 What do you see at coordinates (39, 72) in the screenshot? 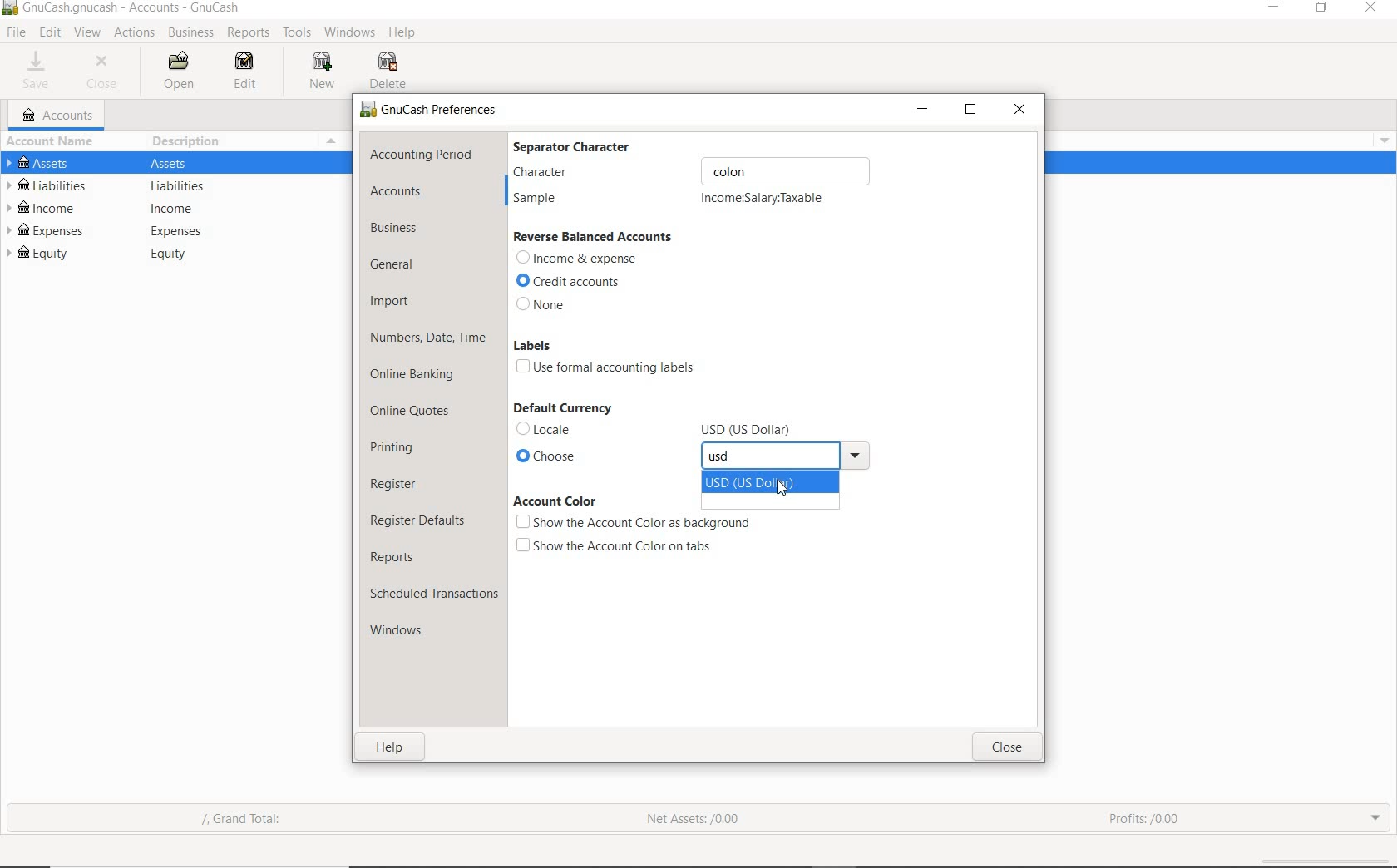
I see `SAVE` at bounding box center [39, 72].